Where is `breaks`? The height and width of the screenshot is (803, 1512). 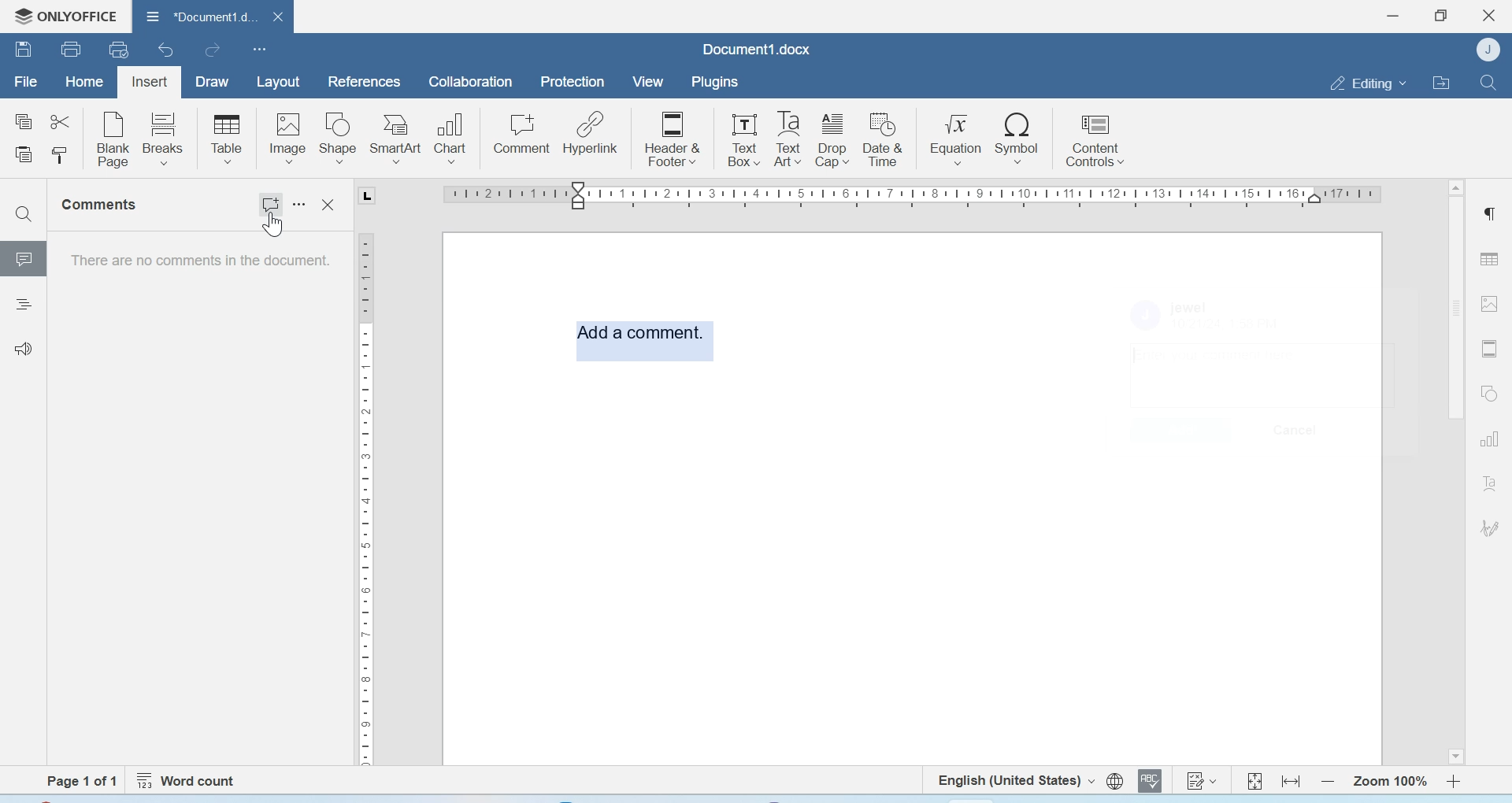 breaks is located at coordinates (164, 137).